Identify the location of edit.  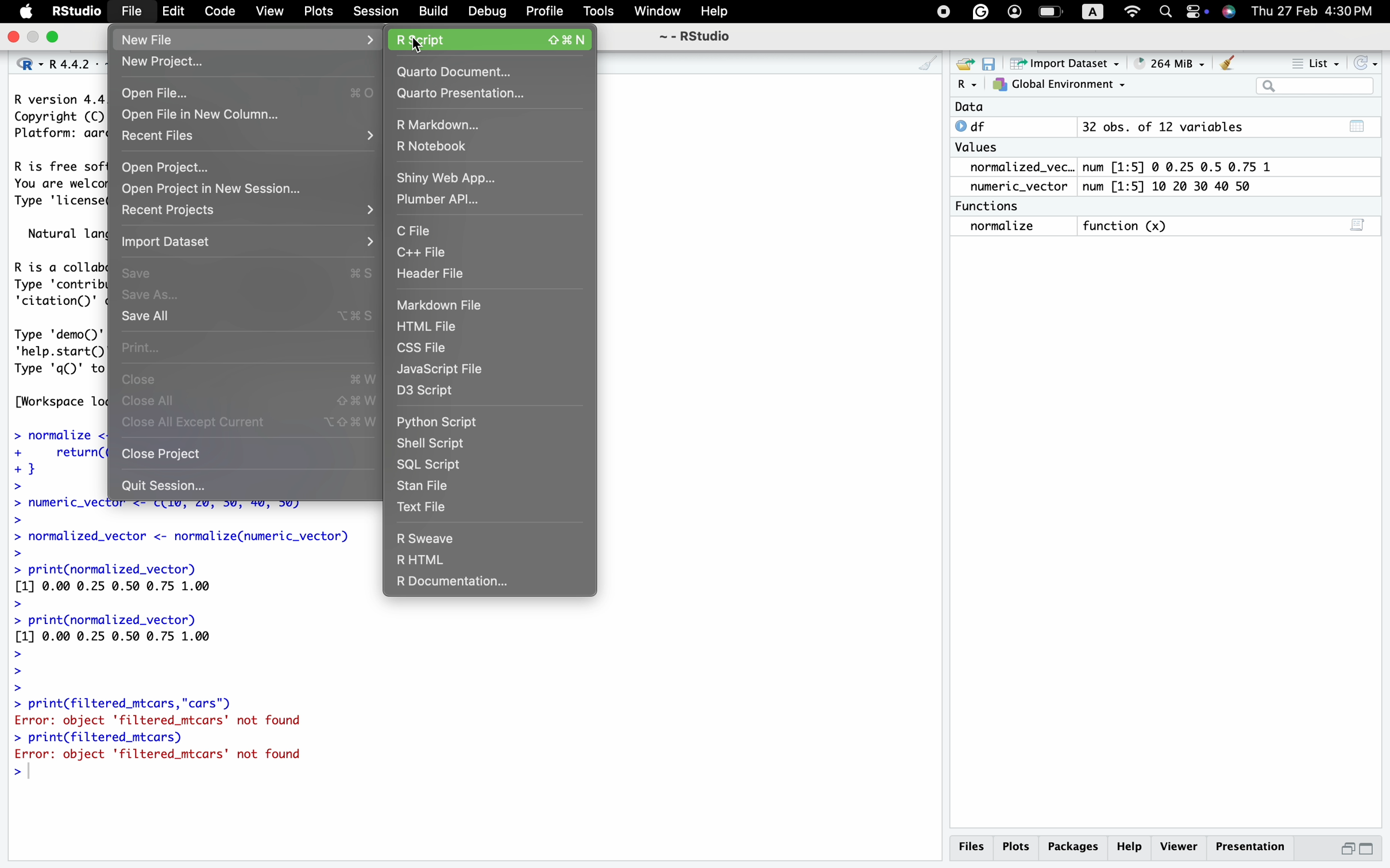
(174, 11).